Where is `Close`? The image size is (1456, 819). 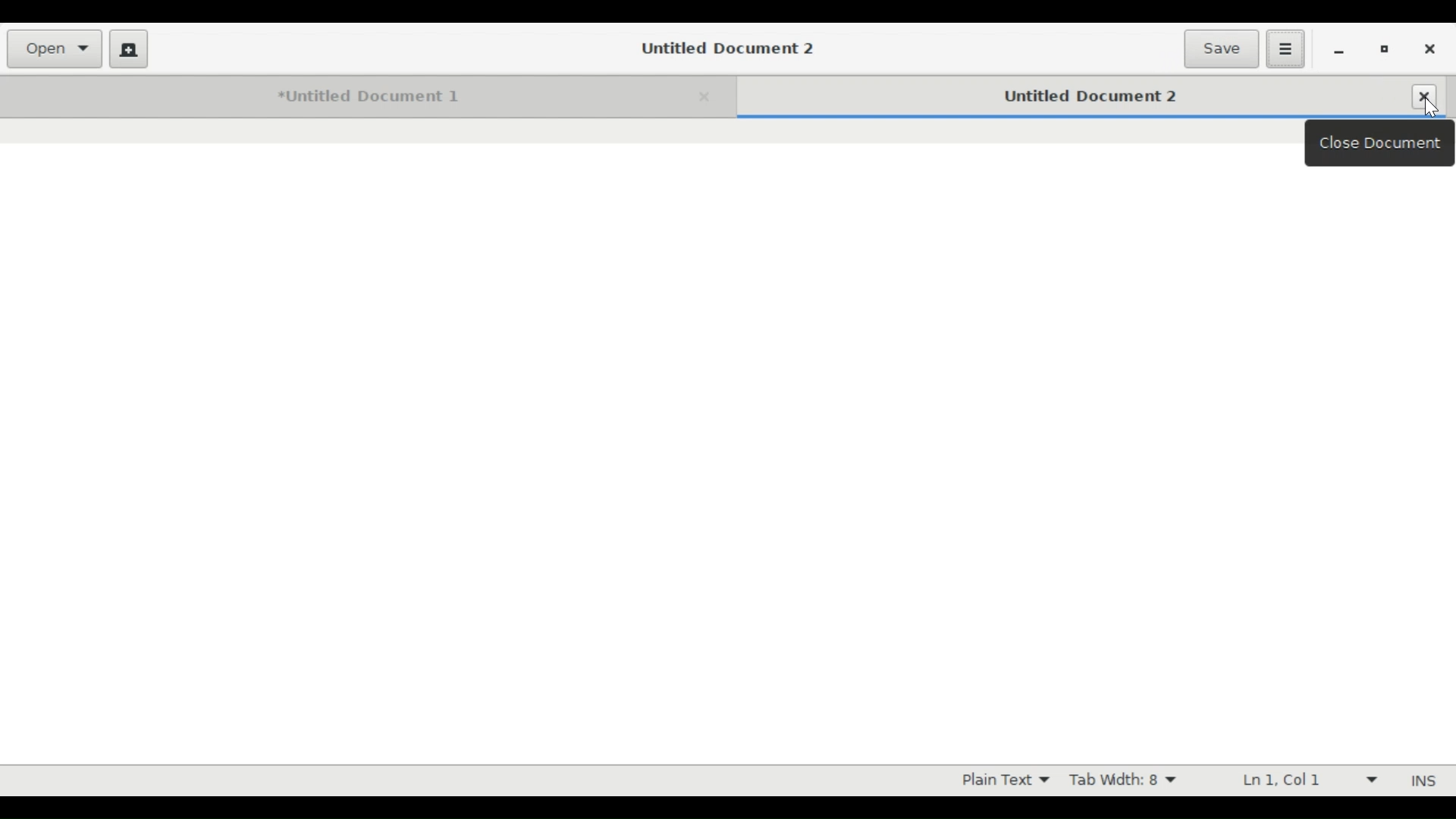 Close is located at coordinates (708, 97).